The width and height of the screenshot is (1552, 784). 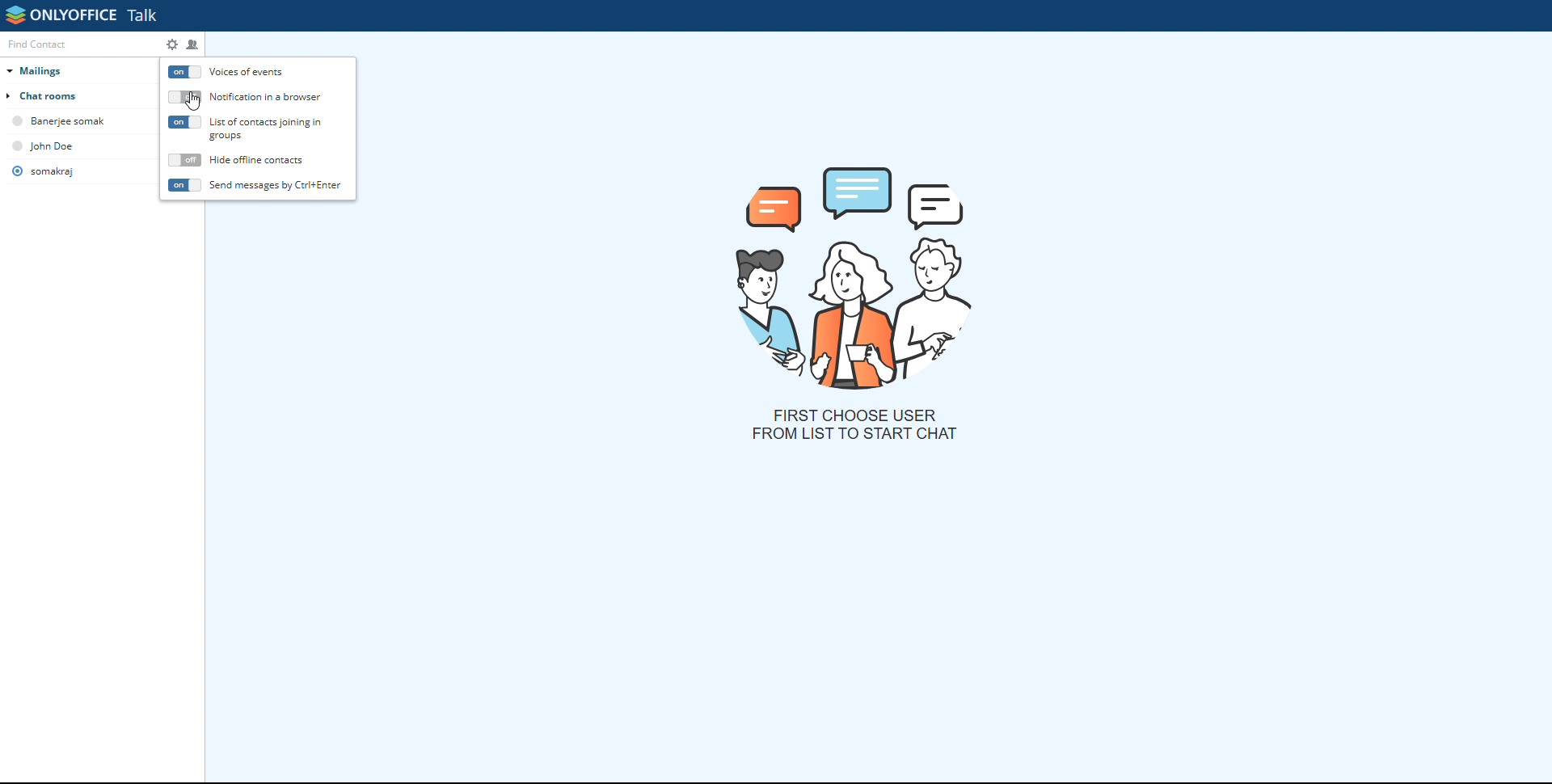 I want to click on list of contacts joining in group, so click(x=268, y=129).